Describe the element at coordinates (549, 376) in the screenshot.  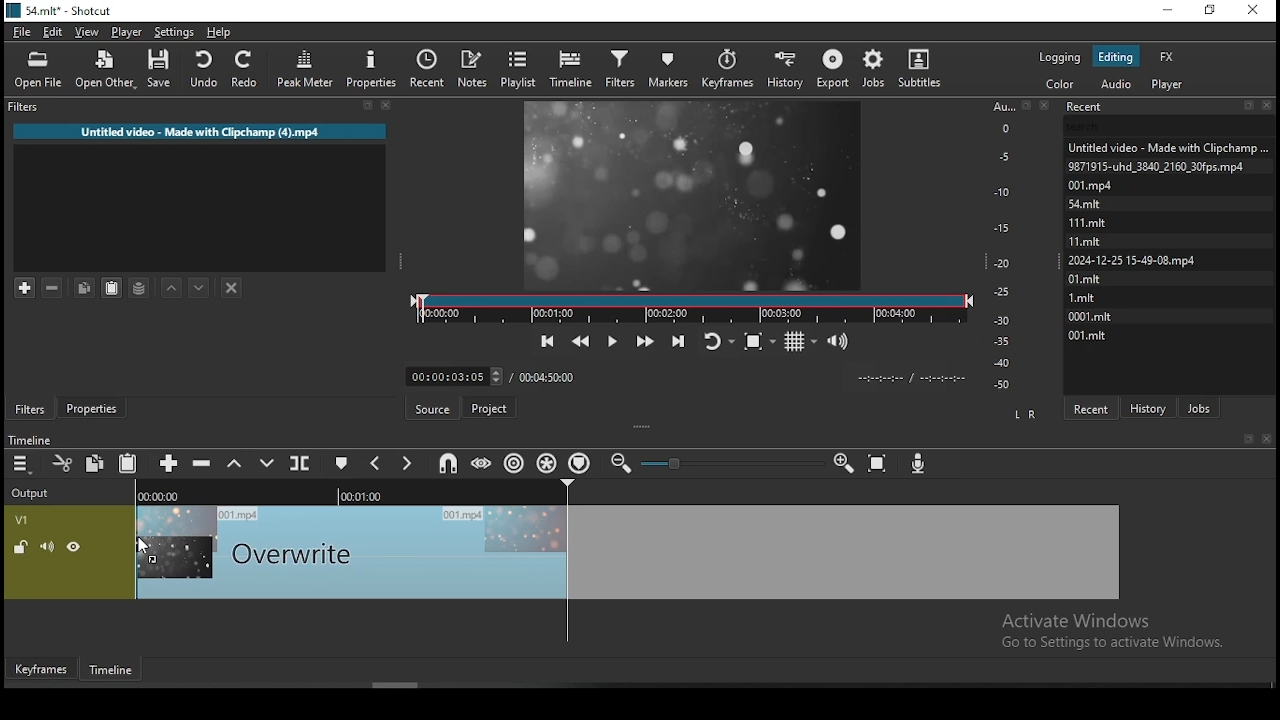
I see `total time` at that location.